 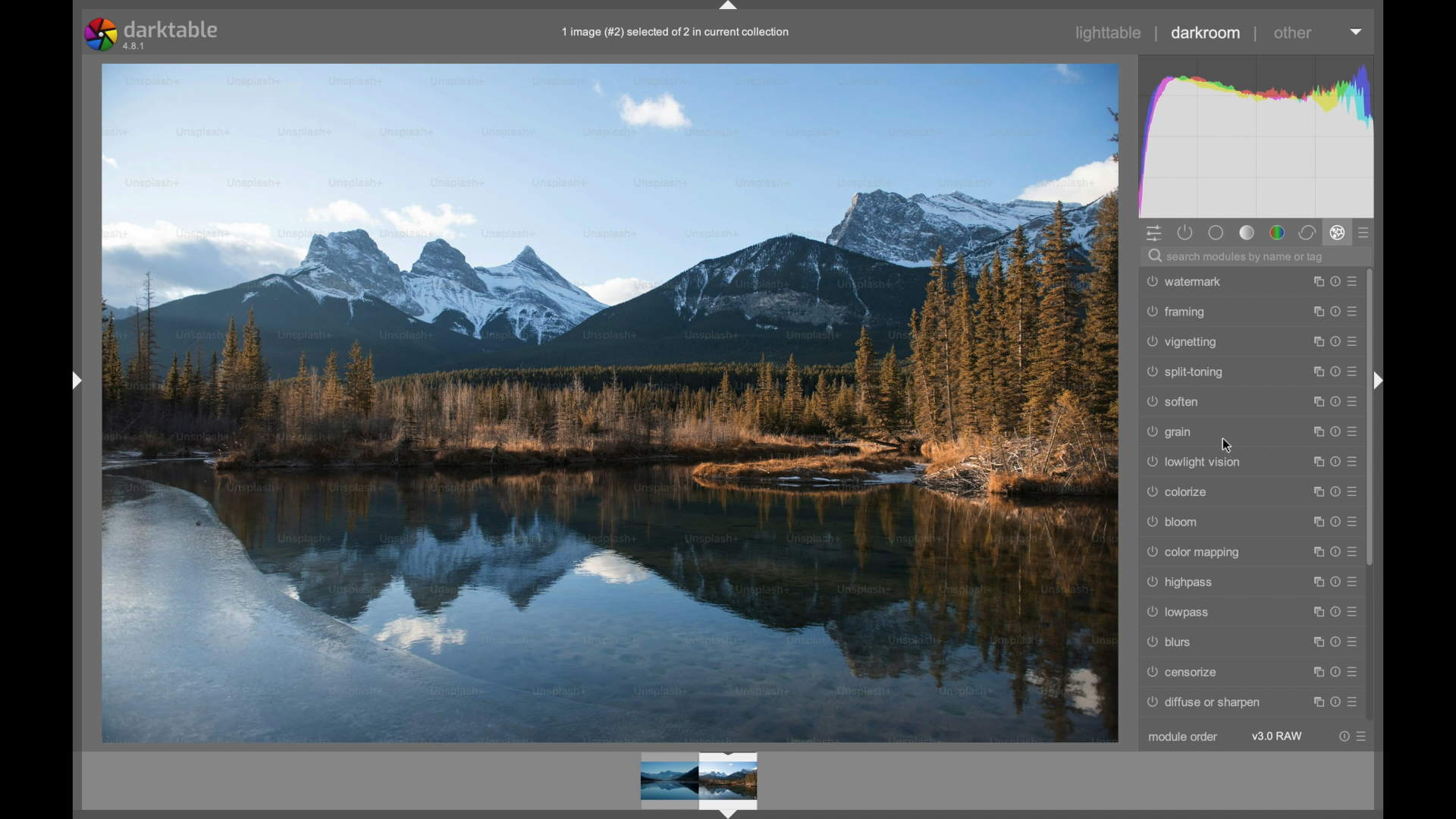 What do you see at coordinates (1175, 402) in the screenshot?
I see `soften` at bounding box center [1175, 402].